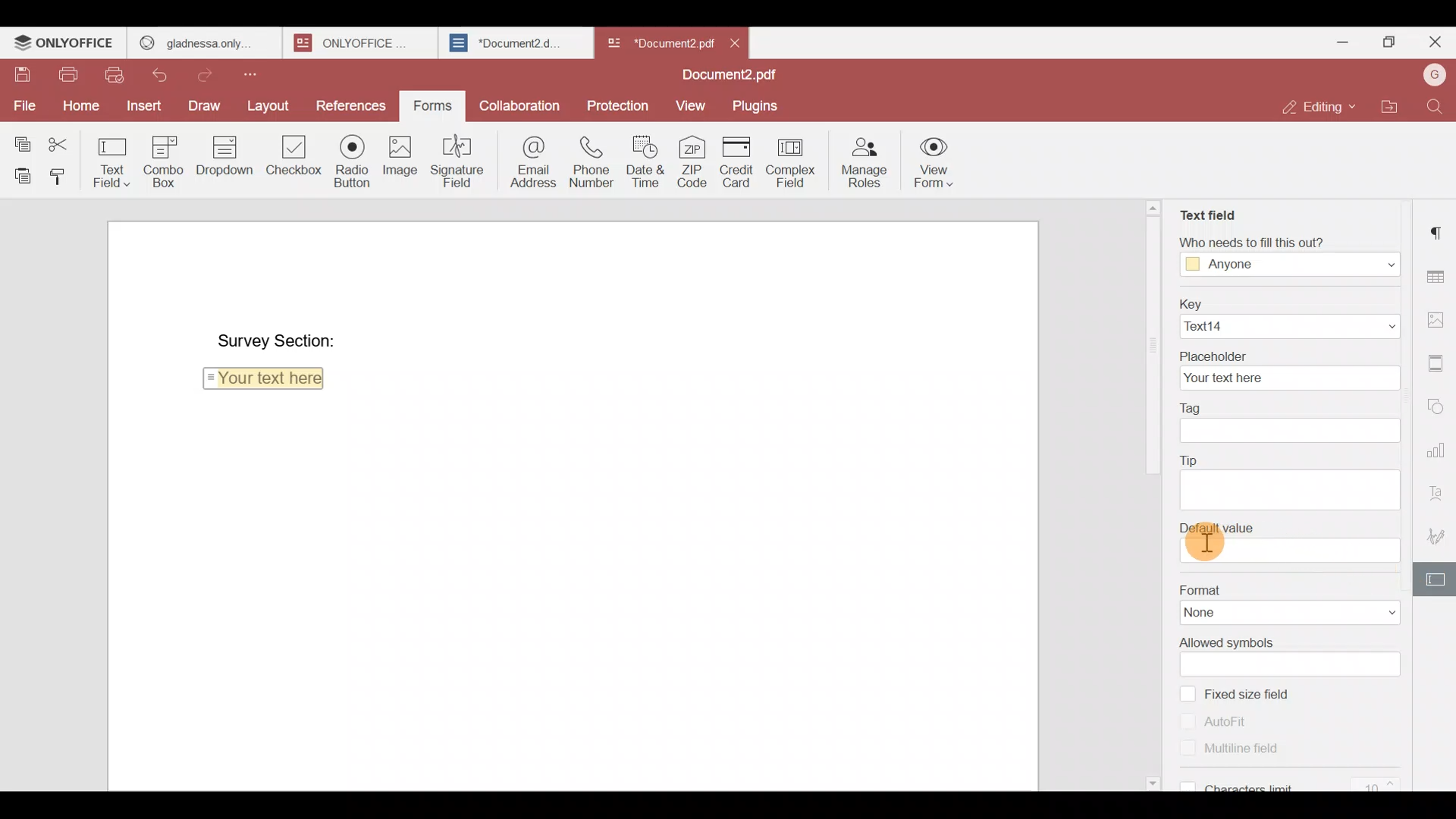 The width and height of the screenshot is (1456, 819). Describe the element at coordinates (1293, 664) in the screenshot. I see `text box` at that location.